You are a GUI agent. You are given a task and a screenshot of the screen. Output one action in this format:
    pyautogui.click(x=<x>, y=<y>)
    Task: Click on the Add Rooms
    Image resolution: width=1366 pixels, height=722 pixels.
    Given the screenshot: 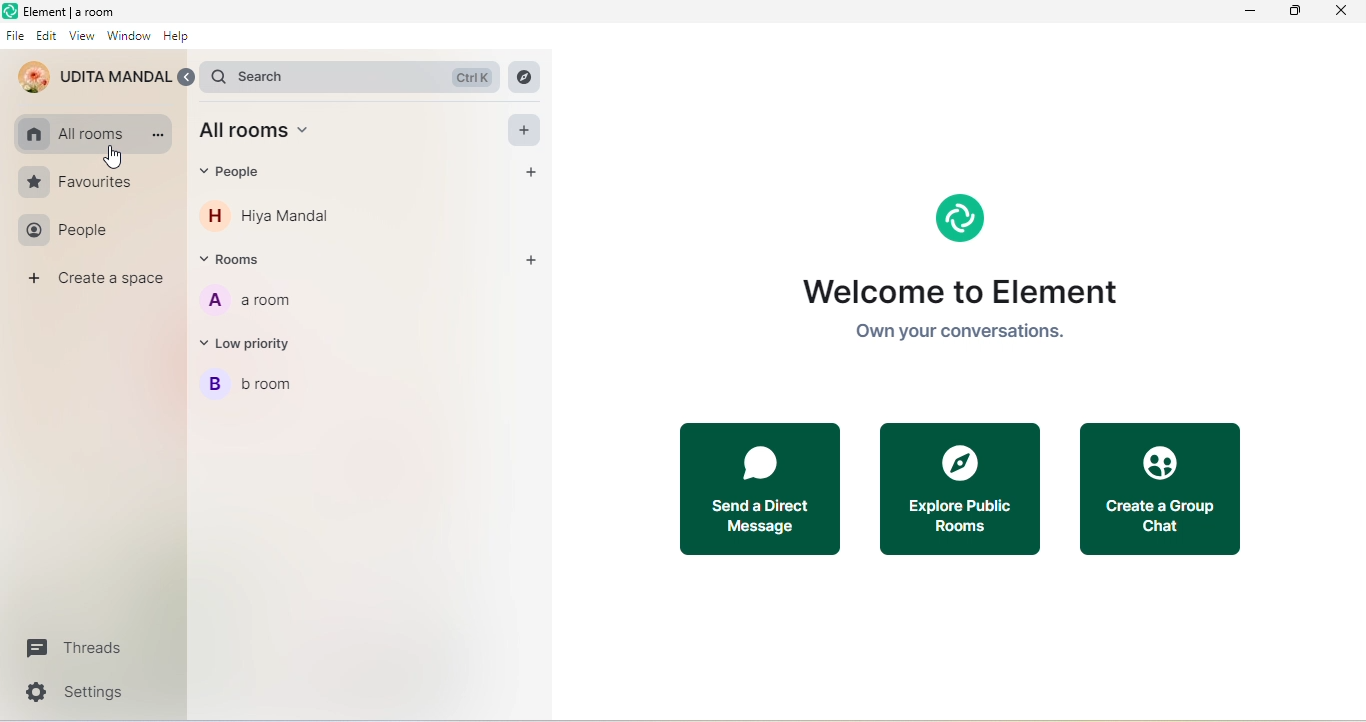 What is the action you would take?
    pyautogui.click(x=534, y=258)
    